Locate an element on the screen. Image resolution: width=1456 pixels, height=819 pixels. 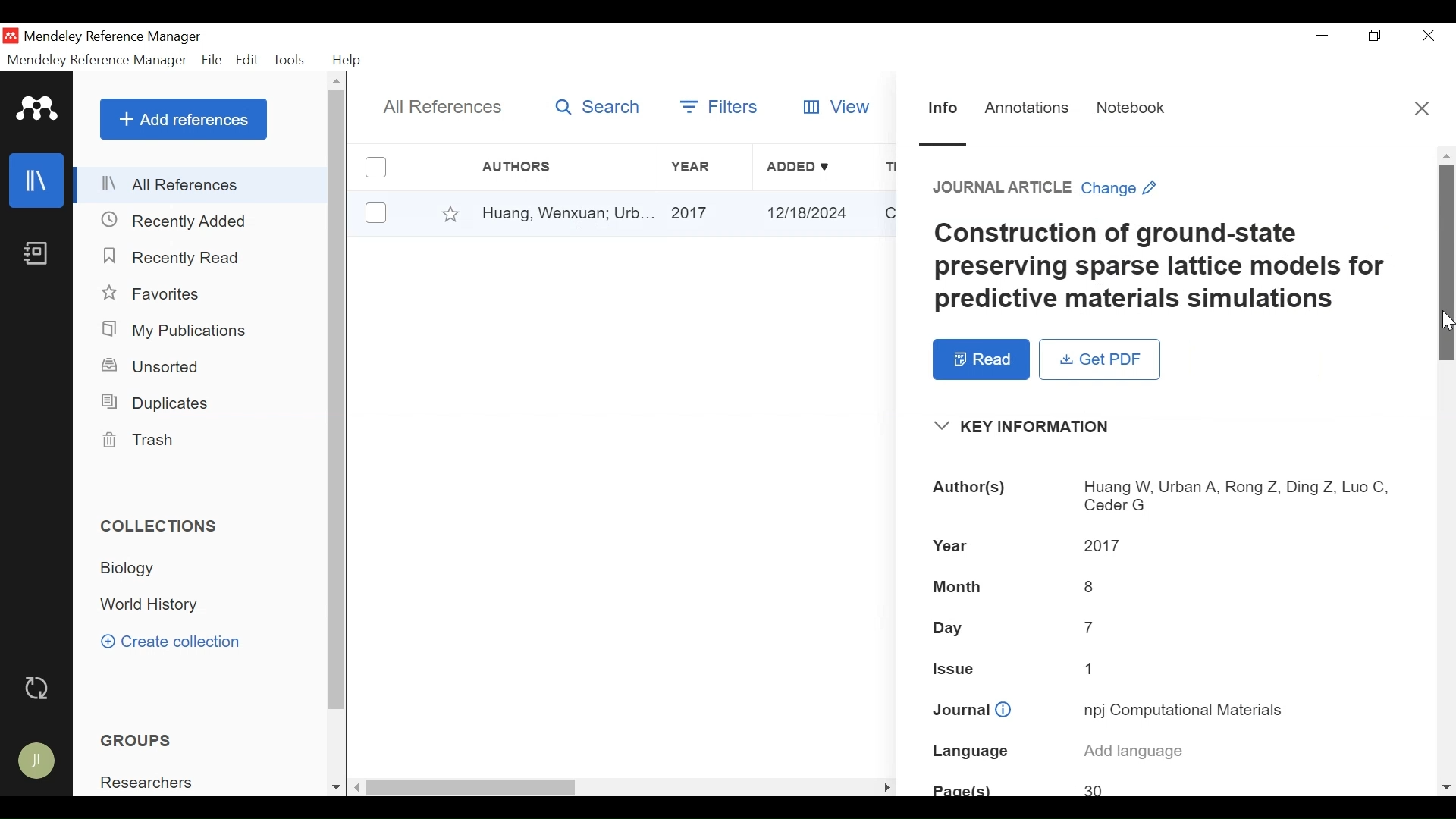
Month is located at coordinates (959, 588).